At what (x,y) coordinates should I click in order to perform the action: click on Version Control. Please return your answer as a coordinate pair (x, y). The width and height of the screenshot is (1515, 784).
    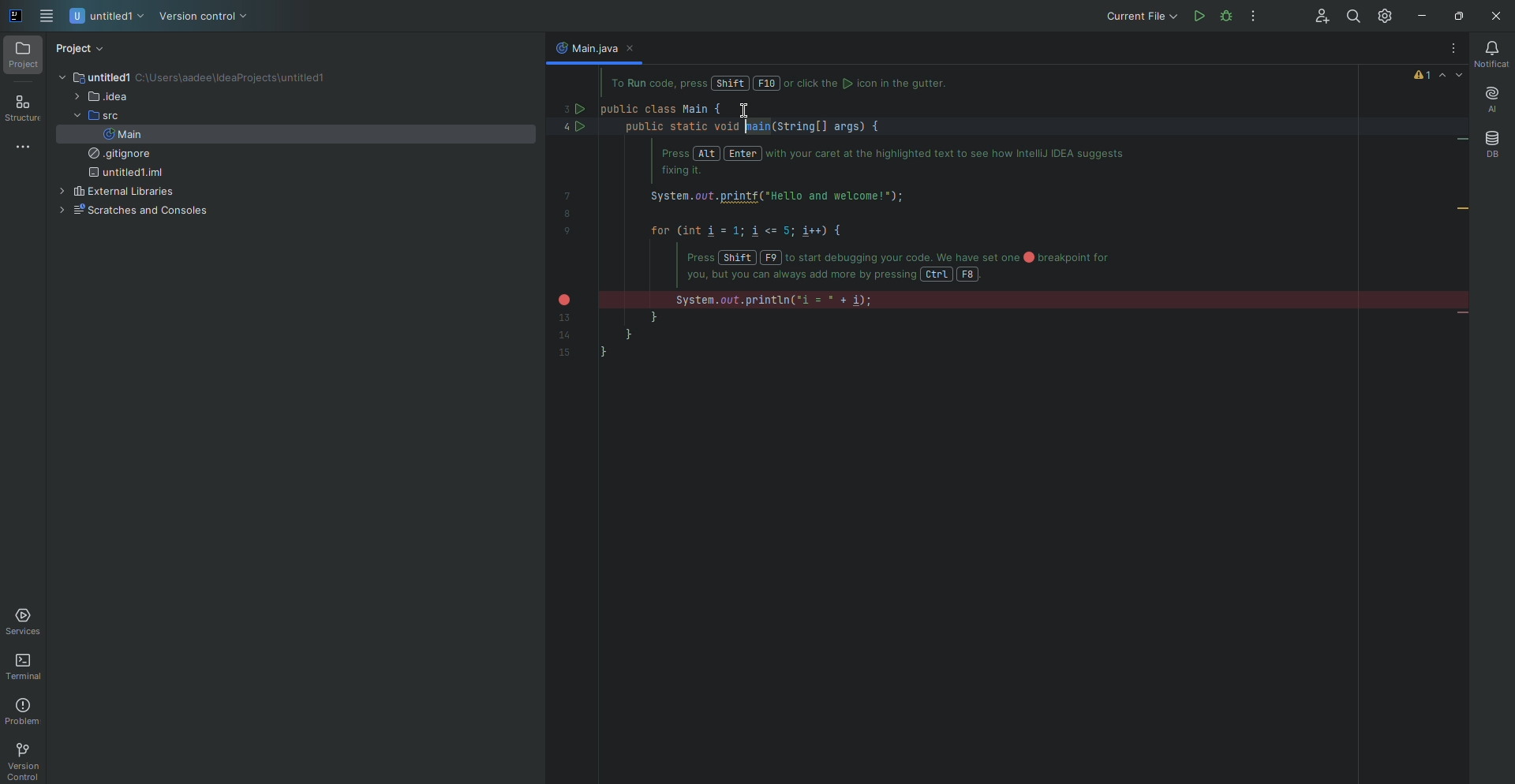
    Looking at the image, I should click on (204, 17).